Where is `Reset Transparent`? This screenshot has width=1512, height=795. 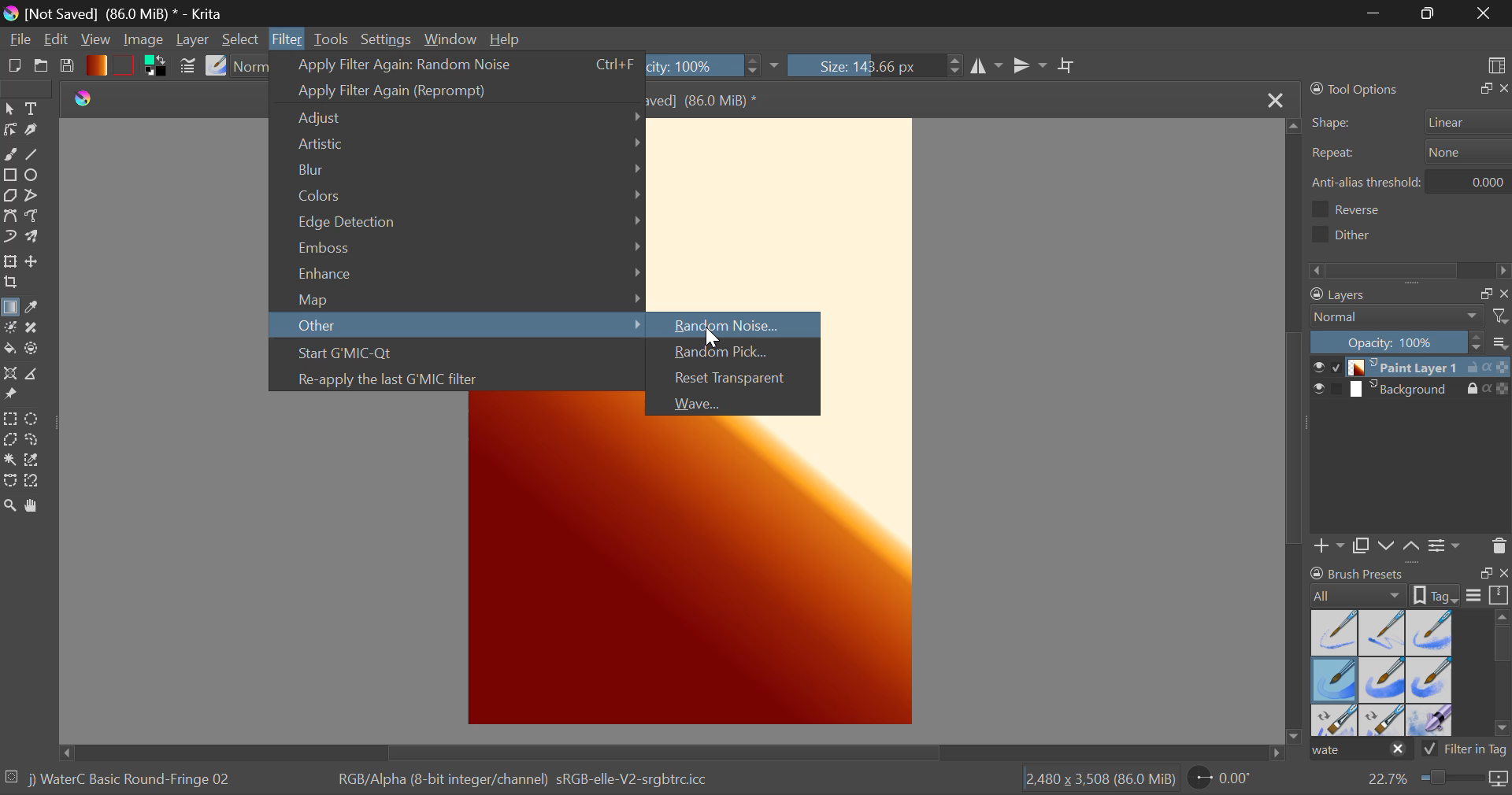
Reset Transparent is located at coordinates (737, 380).